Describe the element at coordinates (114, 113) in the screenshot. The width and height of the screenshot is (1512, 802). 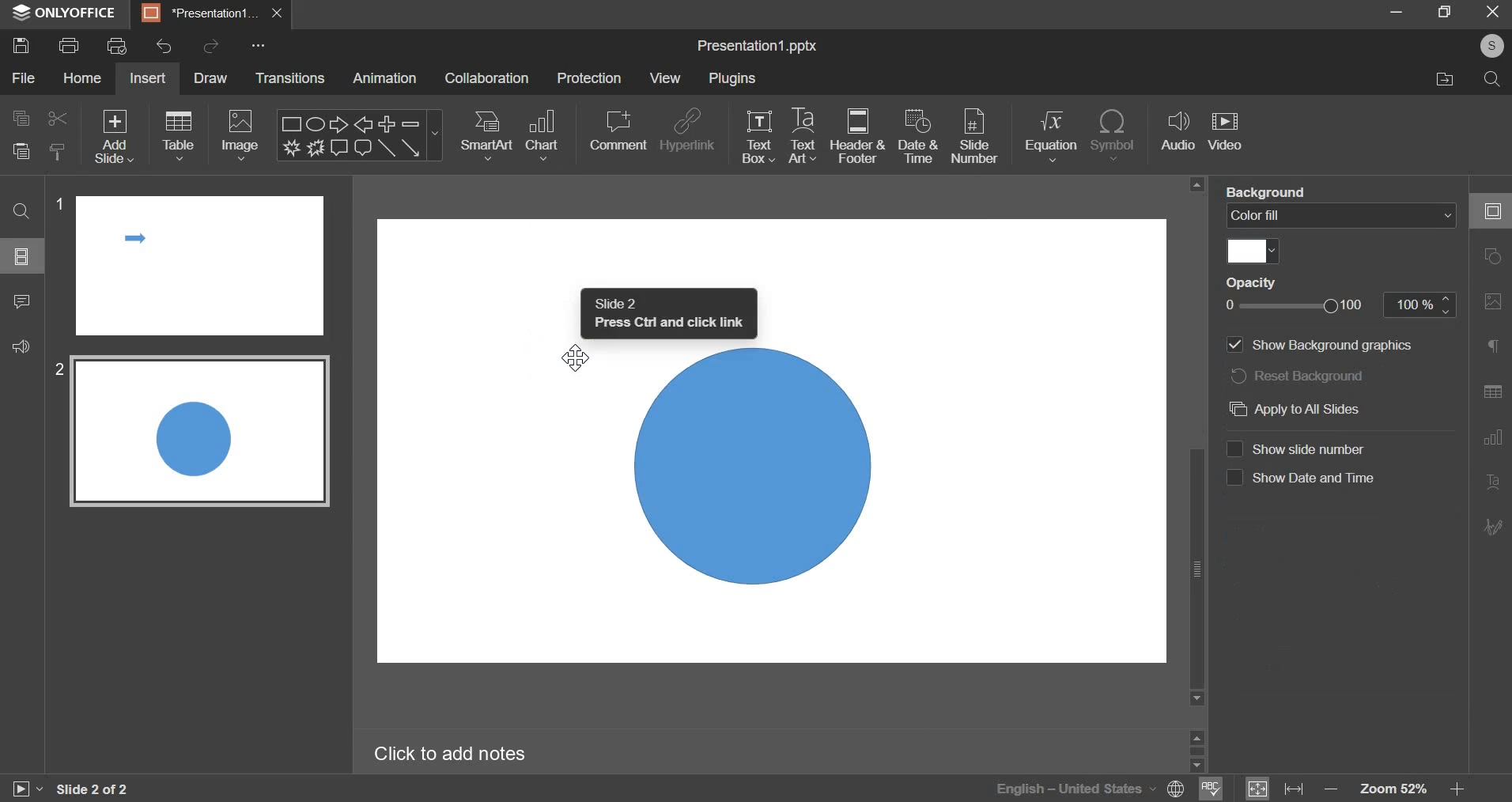
I see `` at that location.